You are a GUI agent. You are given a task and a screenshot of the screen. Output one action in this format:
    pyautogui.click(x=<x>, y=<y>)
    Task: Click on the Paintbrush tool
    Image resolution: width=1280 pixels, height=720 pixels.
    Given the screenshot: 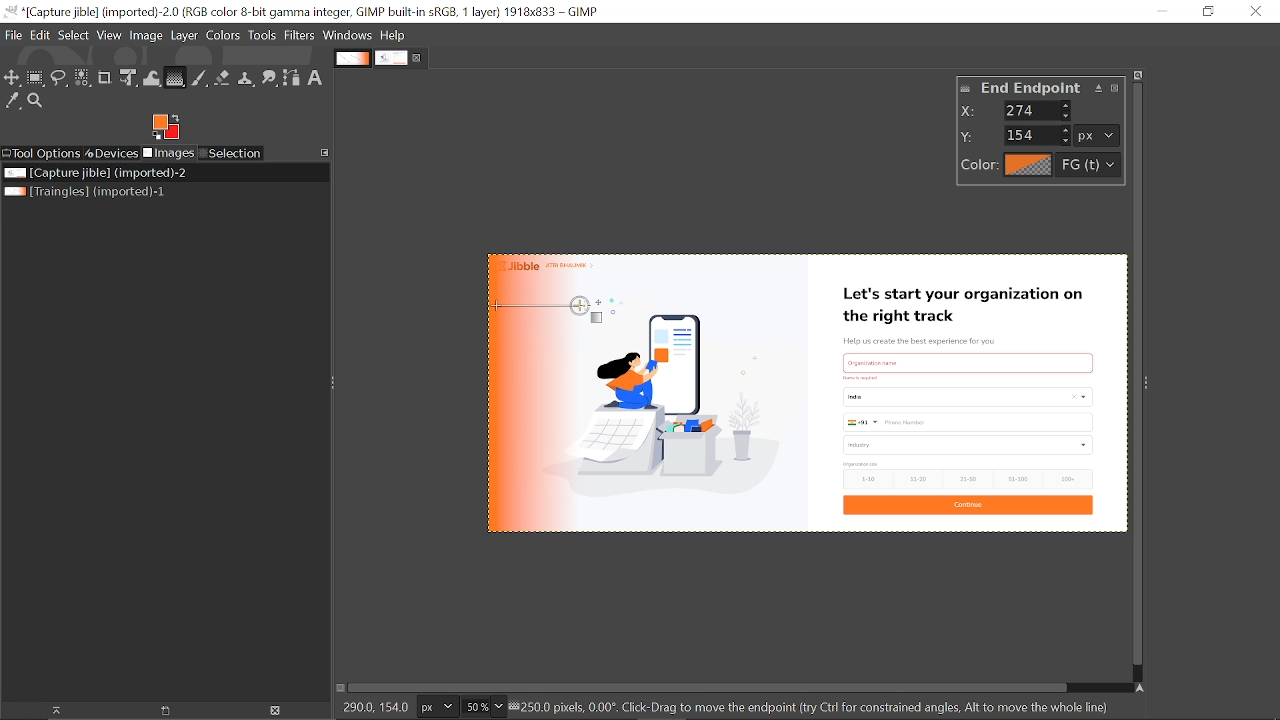 What is the action you would take?
    pyautogui.click(x=201, y=78)
    